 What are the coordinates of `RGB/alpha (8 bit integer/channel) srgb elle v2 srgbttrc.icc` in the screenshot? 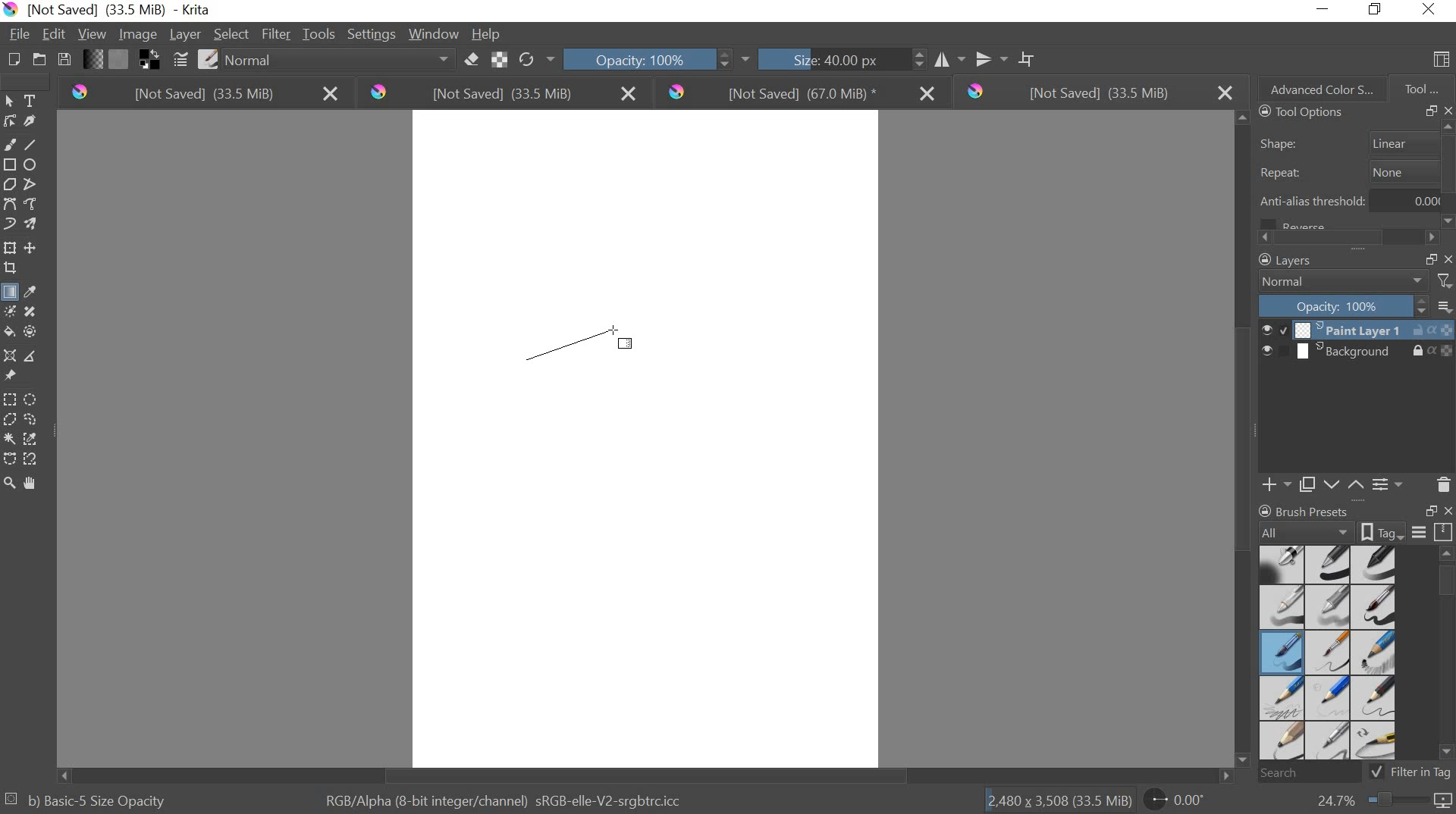 It's located at (505, 797).